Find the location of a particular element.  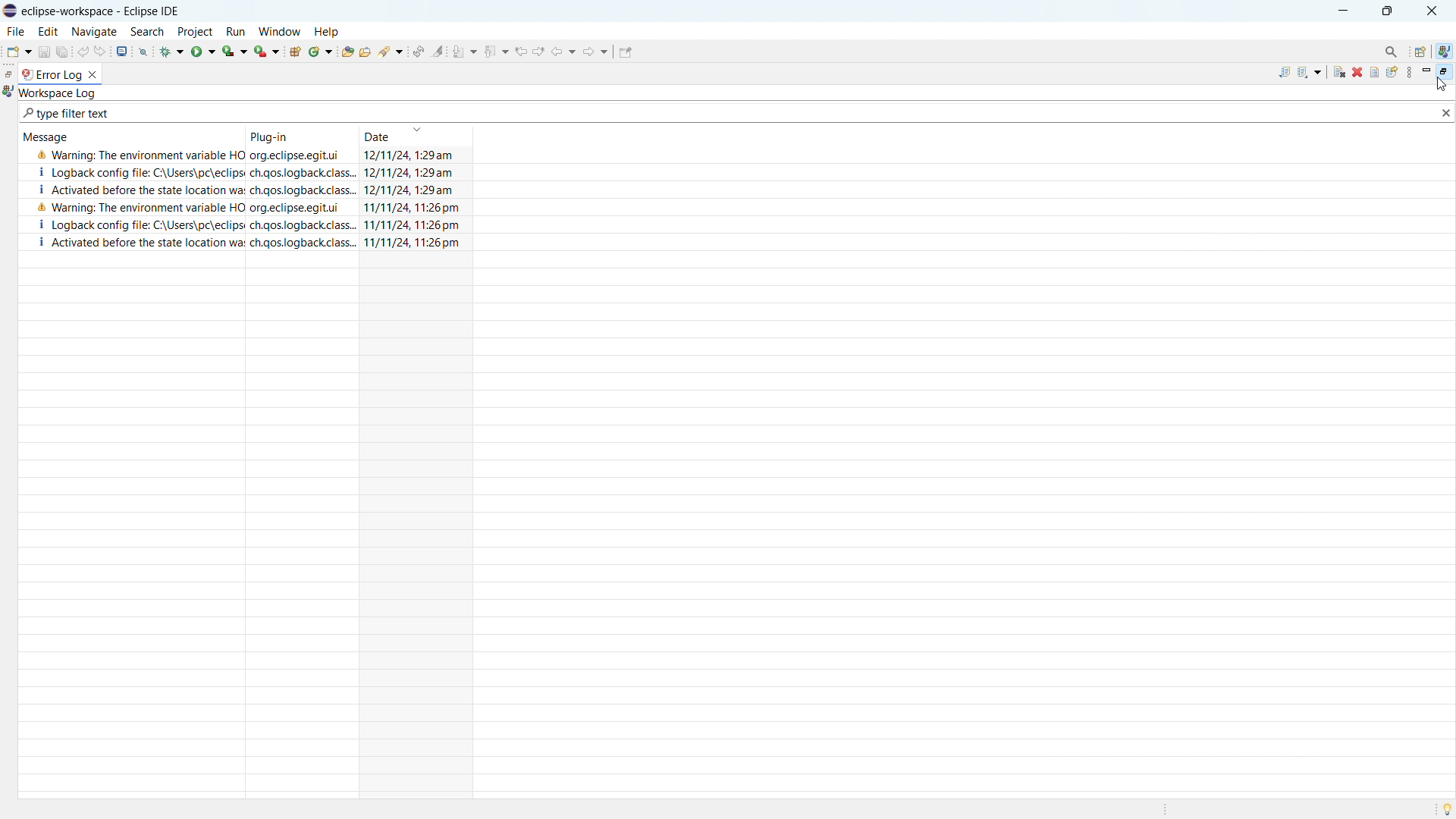

type filter text is located at coordinates (68, 114).